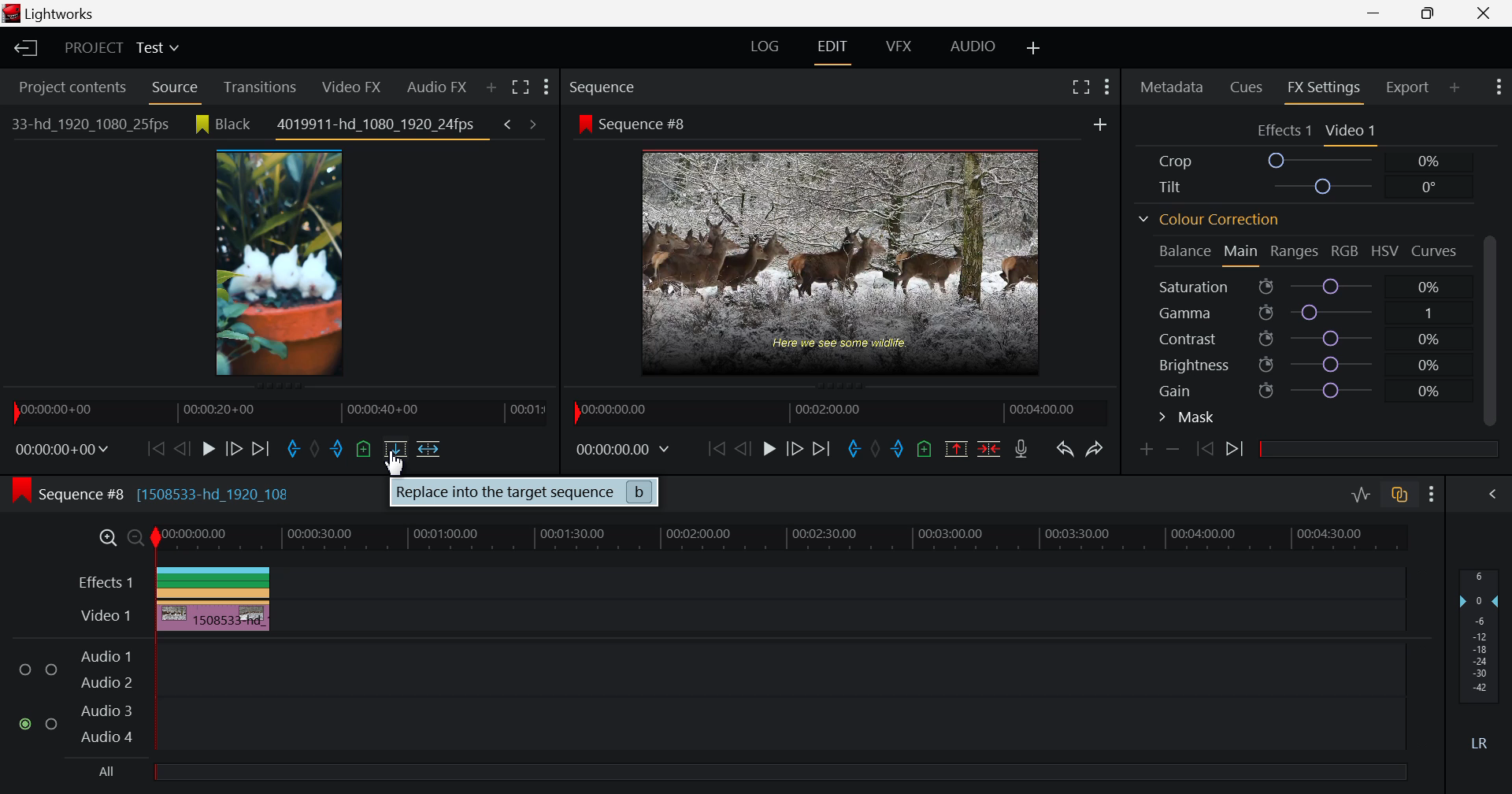 The height and width of the screenshot is (794, 1512). I want to click on Search, so click(493, 86).